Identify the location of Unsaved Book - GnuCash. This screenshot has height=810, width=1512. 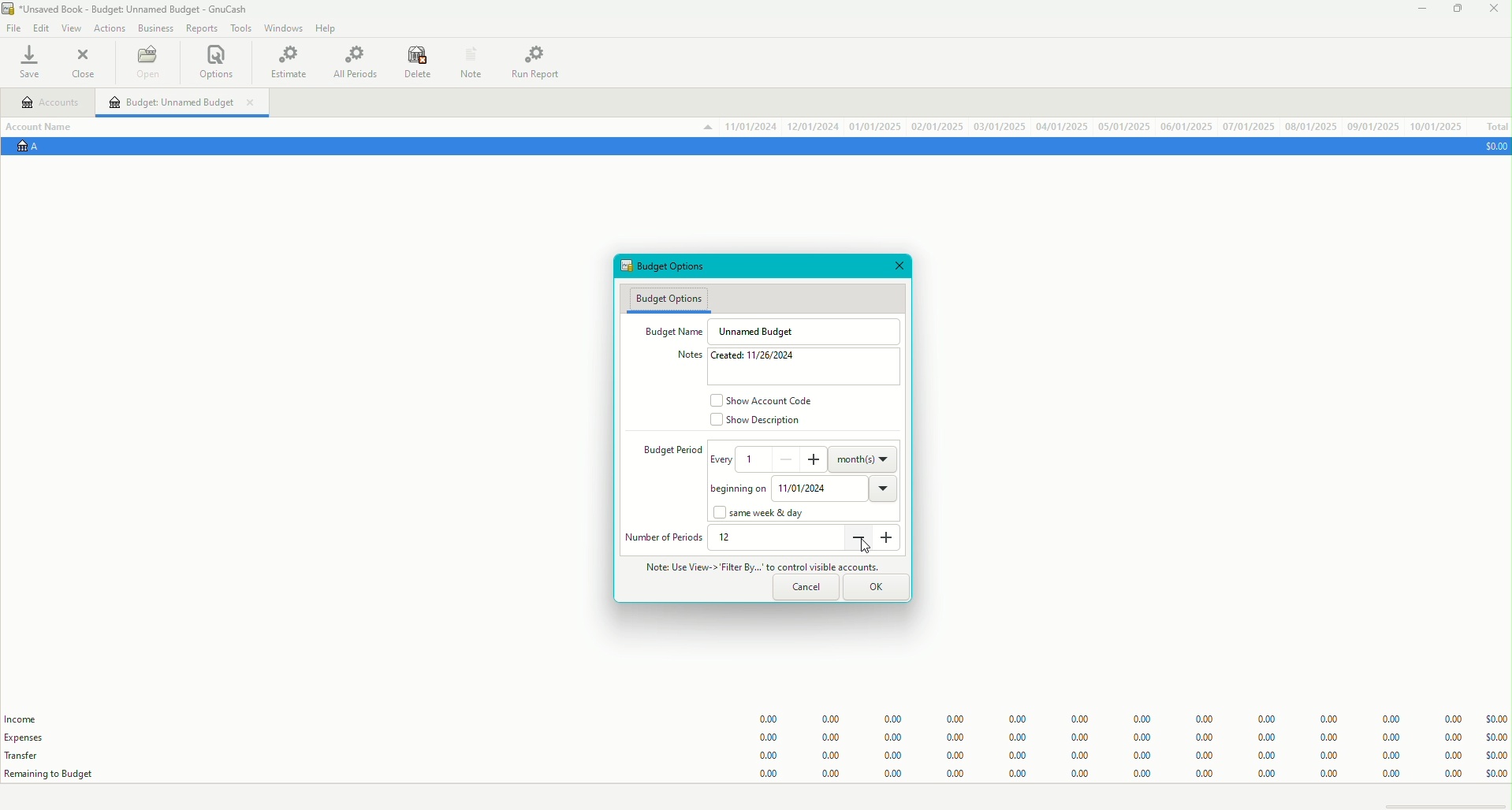
(128, 10).